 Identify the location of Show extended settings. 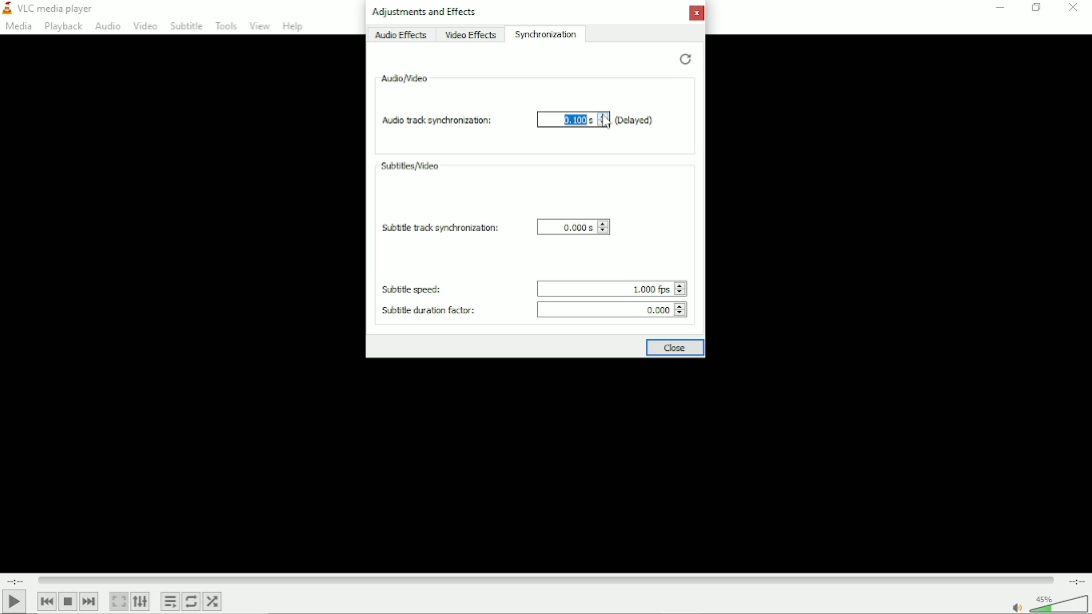
(141, 601).